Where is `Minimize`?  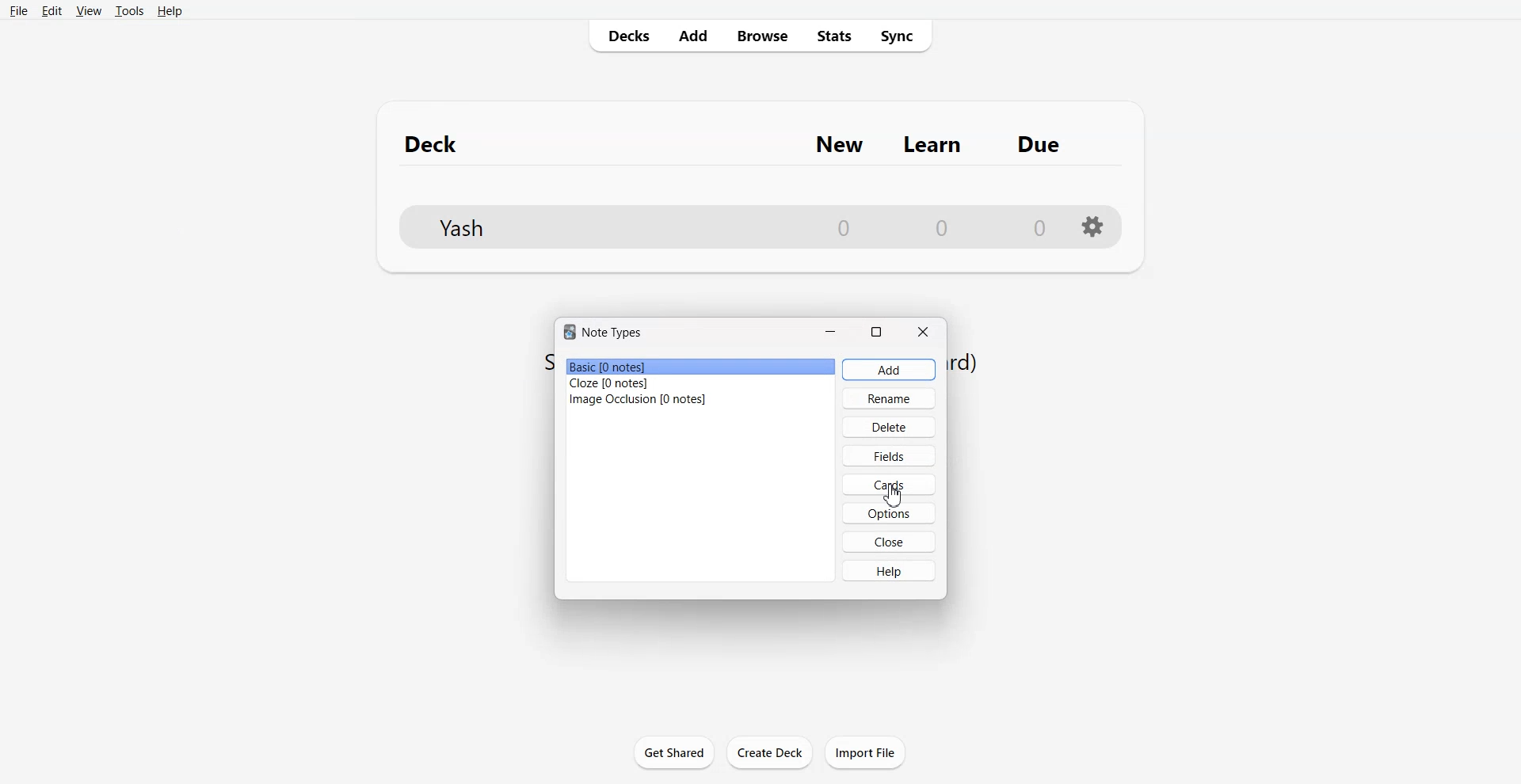 Minimize is located at coordinates (830, 330).